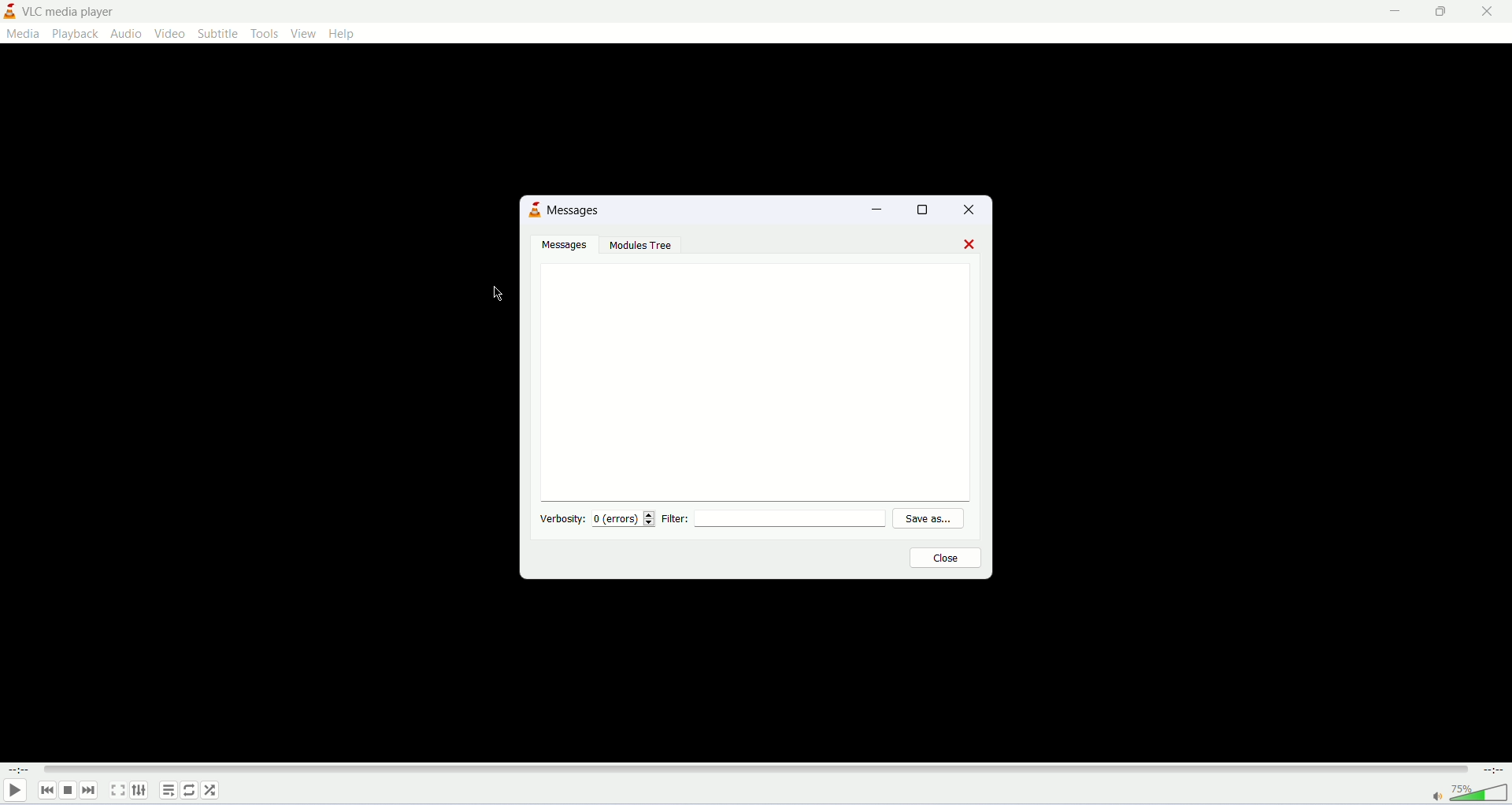 The image size is (1512, 805). What do you see at coordinates (76, 34) in the screenshot?
I see `playback` at bounding box center [76, 34].